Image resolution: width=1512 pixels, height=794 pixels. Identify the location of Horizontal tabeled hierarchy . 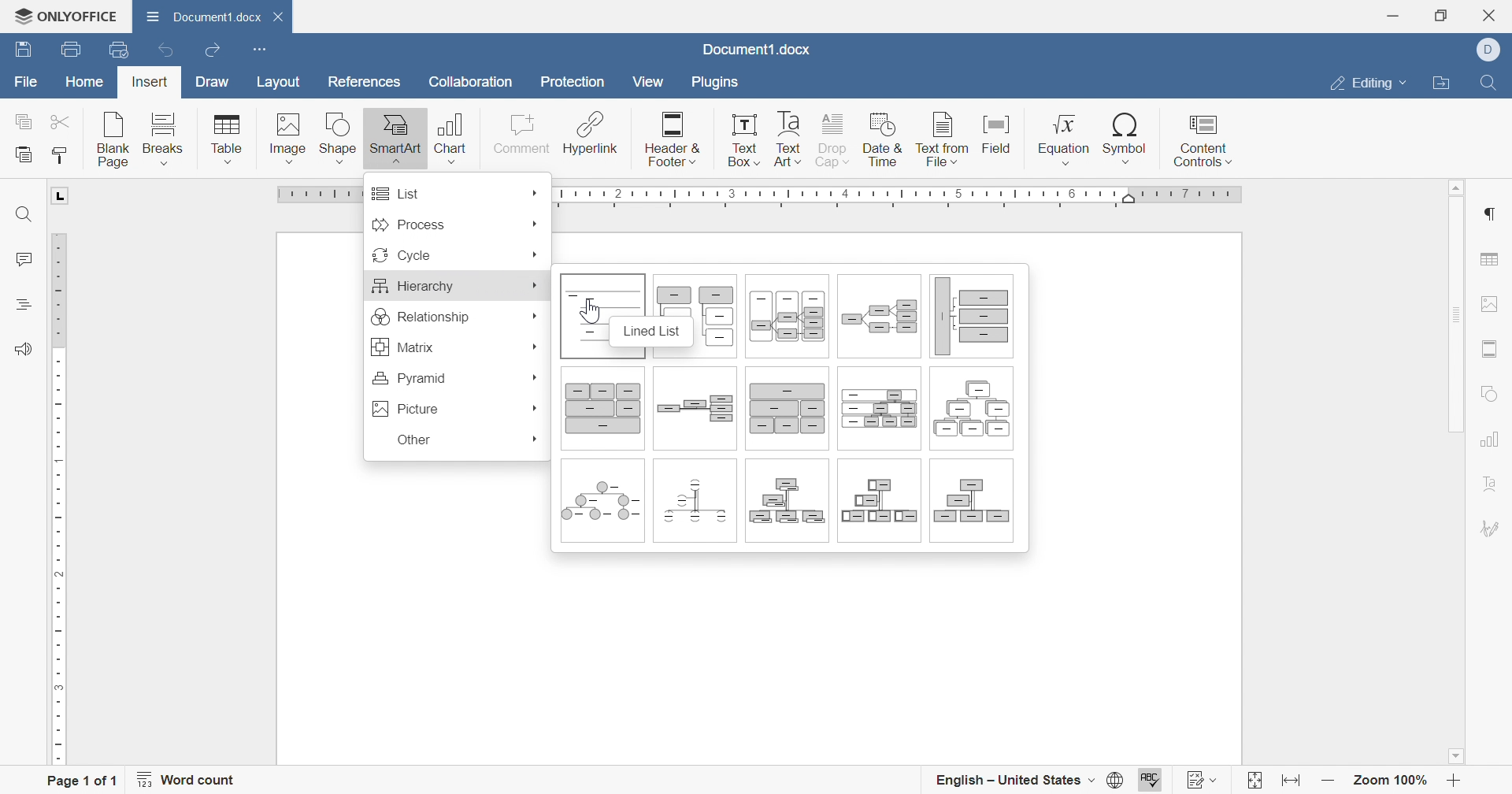
(782, 320).